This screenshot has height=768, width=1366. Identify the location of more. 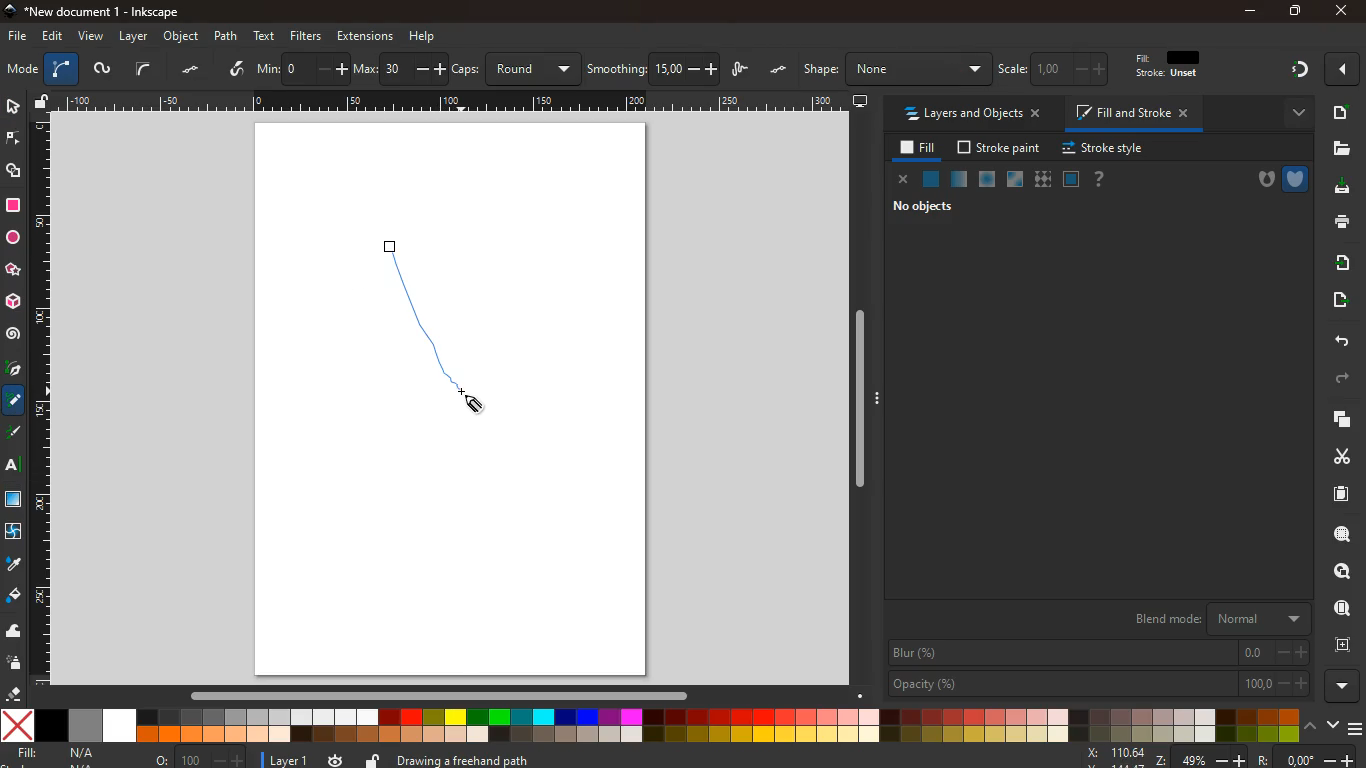
(1294, 114).